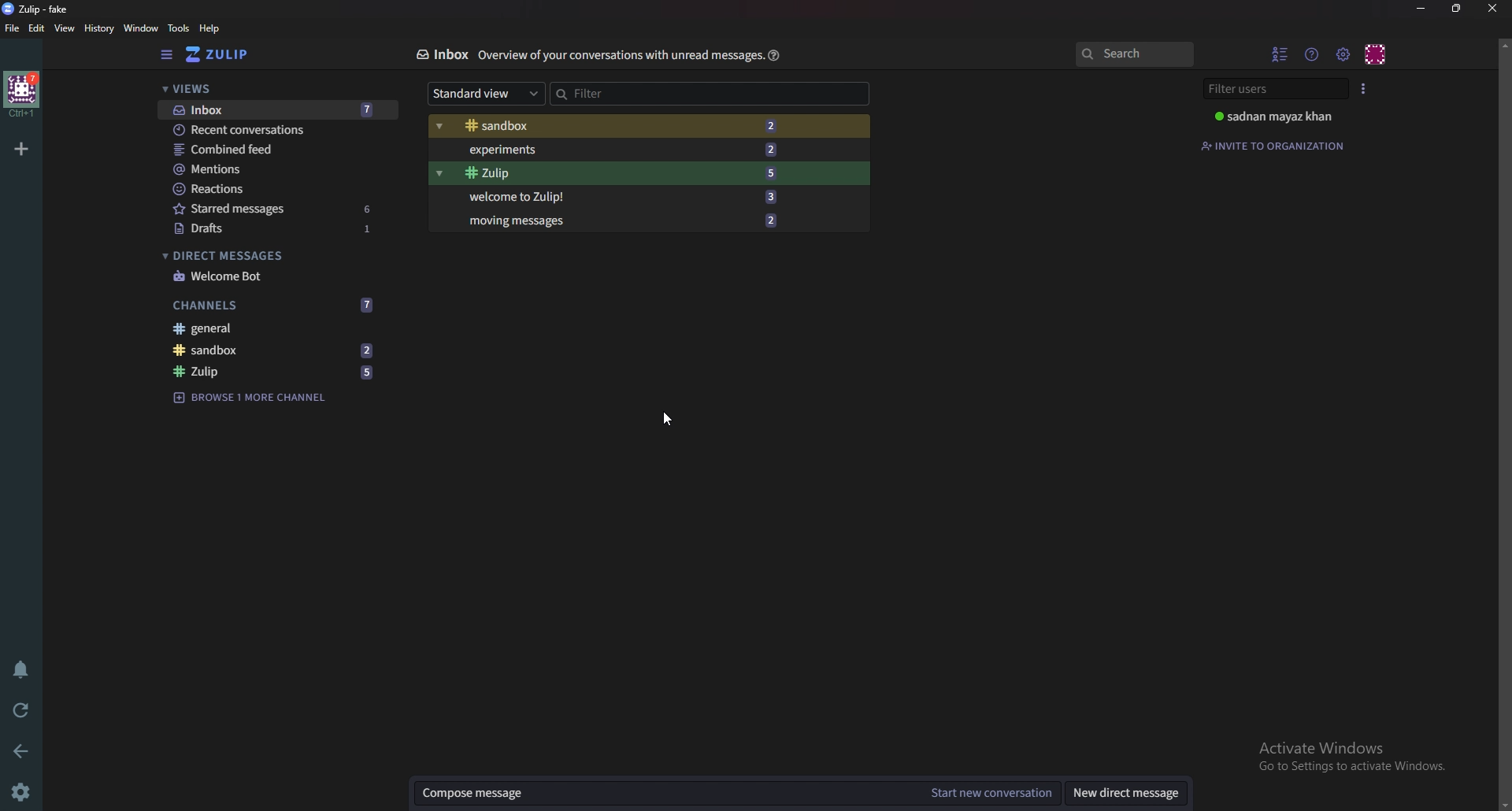 The width and height of the screenshot is (1512, 811). What do you see at coordinates (710, 94) in the screenshot?
I see `Filter` at bounding box center [710, 94].